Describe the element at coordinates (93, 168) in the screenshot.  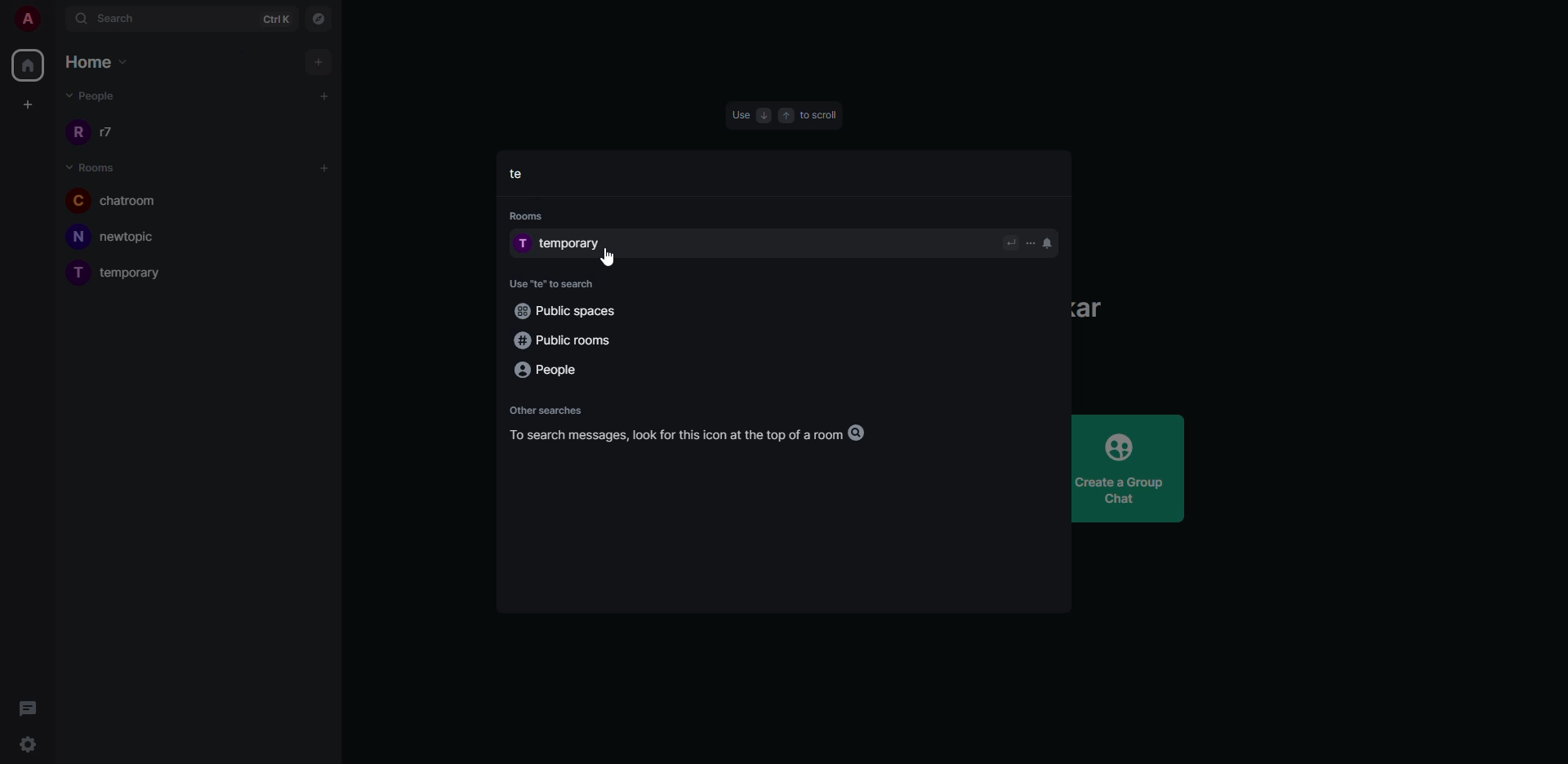
I see `rooms` at that location.